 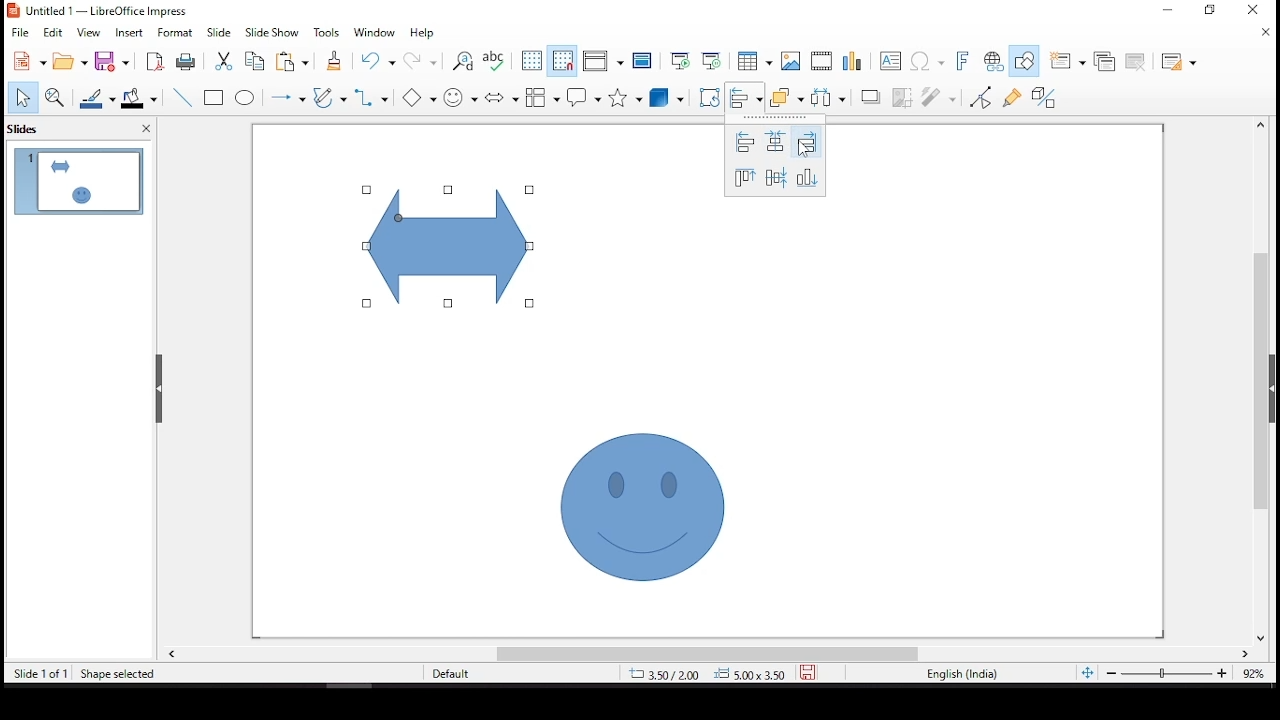 What do you see at coordinates (749, 672) in the screenshot?
I see `0.00x0.00` at bounding box center [749, 672].